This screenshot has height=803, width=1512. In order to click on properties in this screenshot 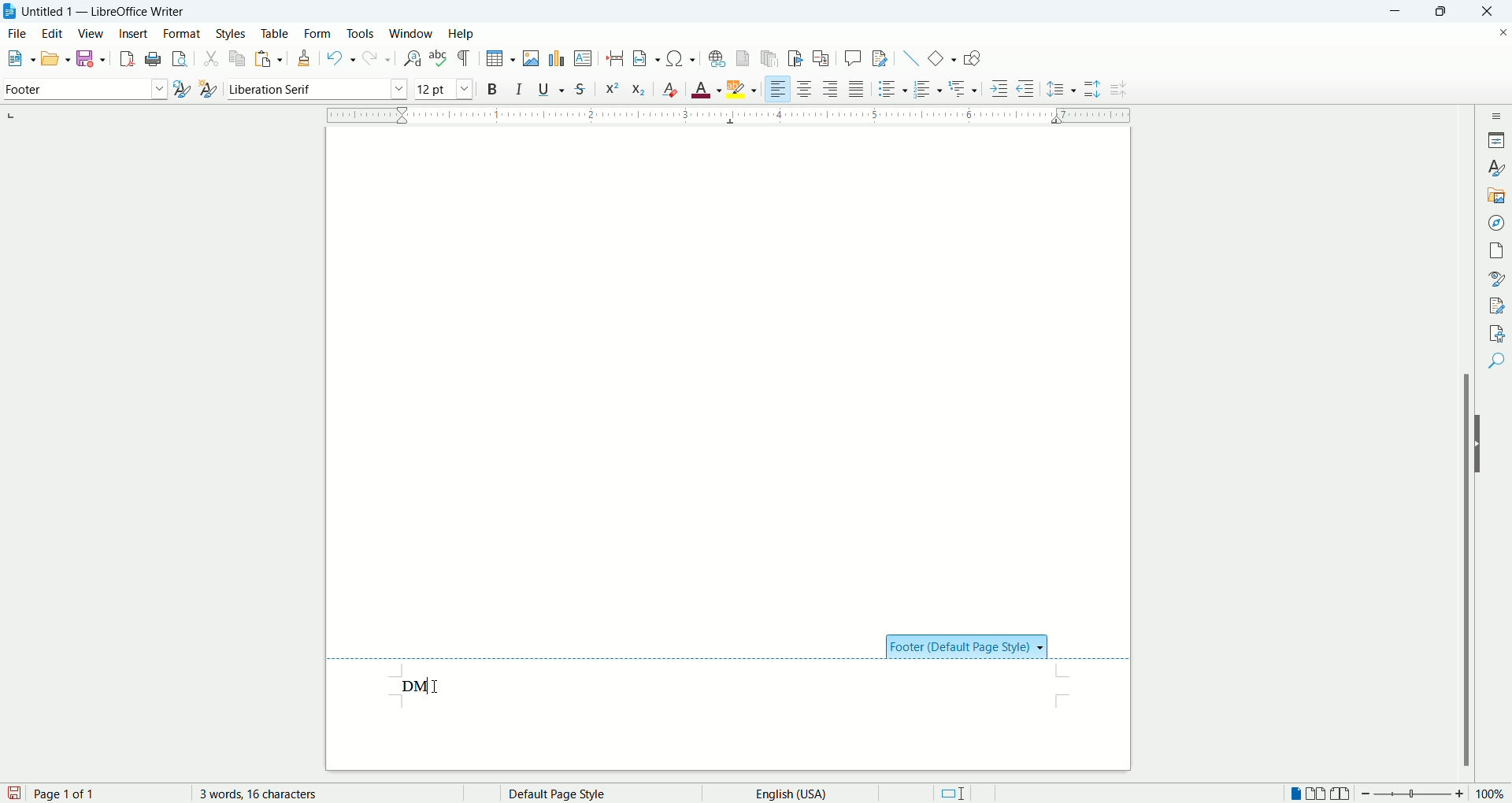, I will do `click(1498, 139)`.